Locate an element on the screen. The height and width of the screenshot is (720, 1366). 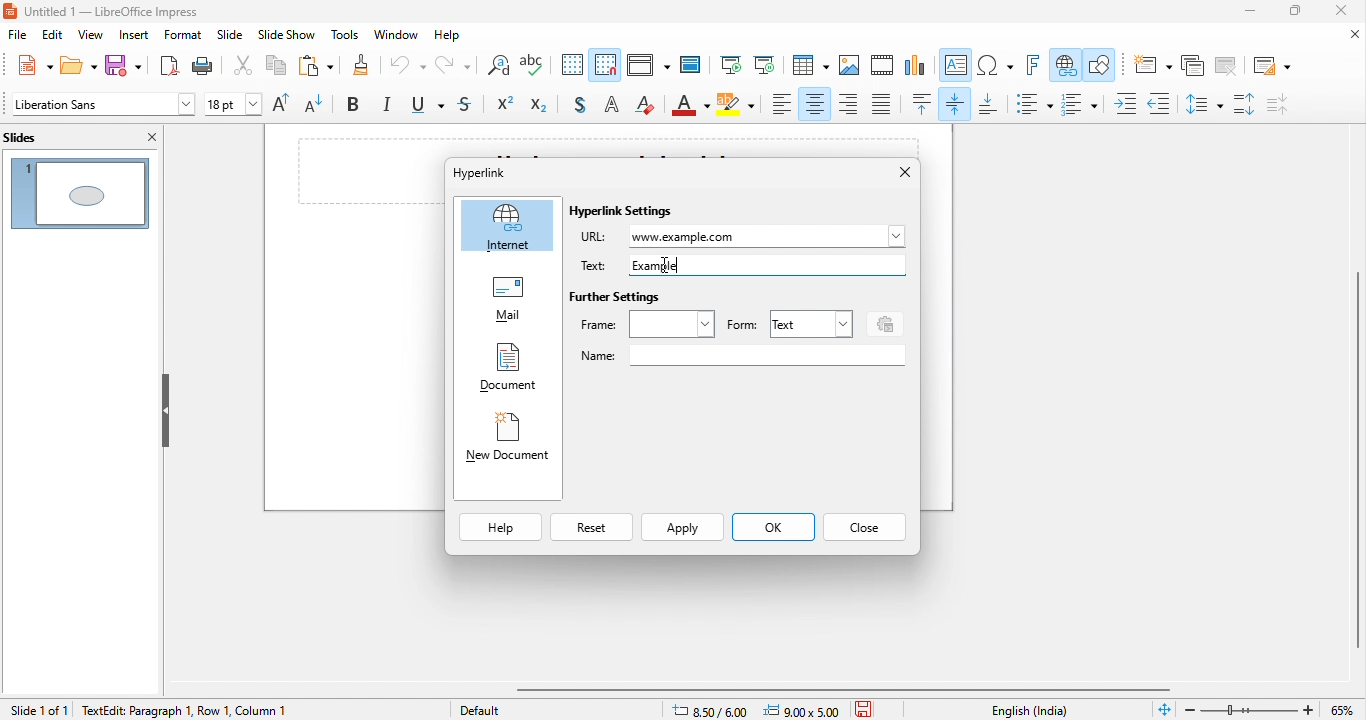
toggle unordered list is located at coordinates (1033, 104).